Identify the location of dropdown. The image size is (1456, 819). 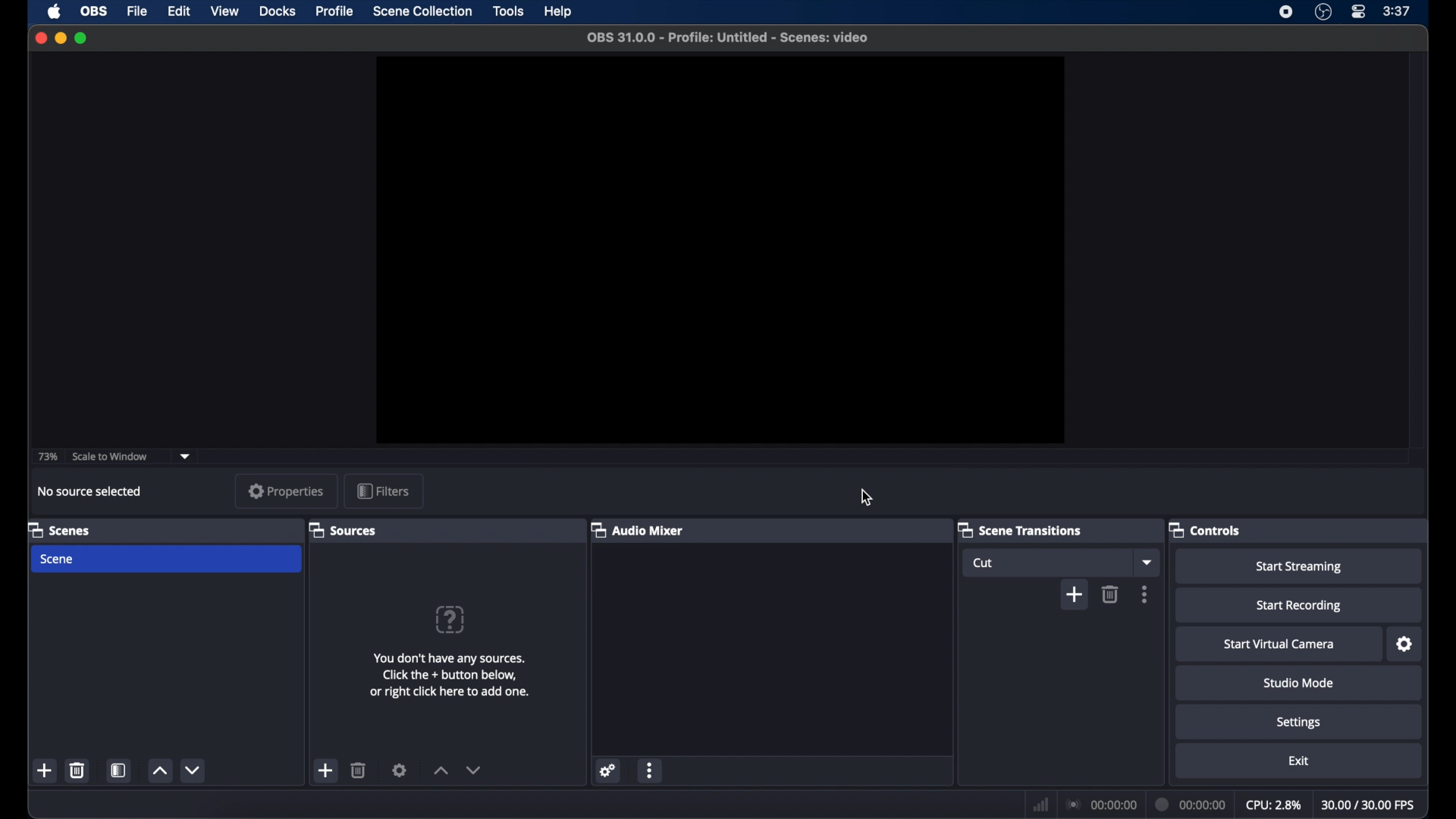
(1146, 562).